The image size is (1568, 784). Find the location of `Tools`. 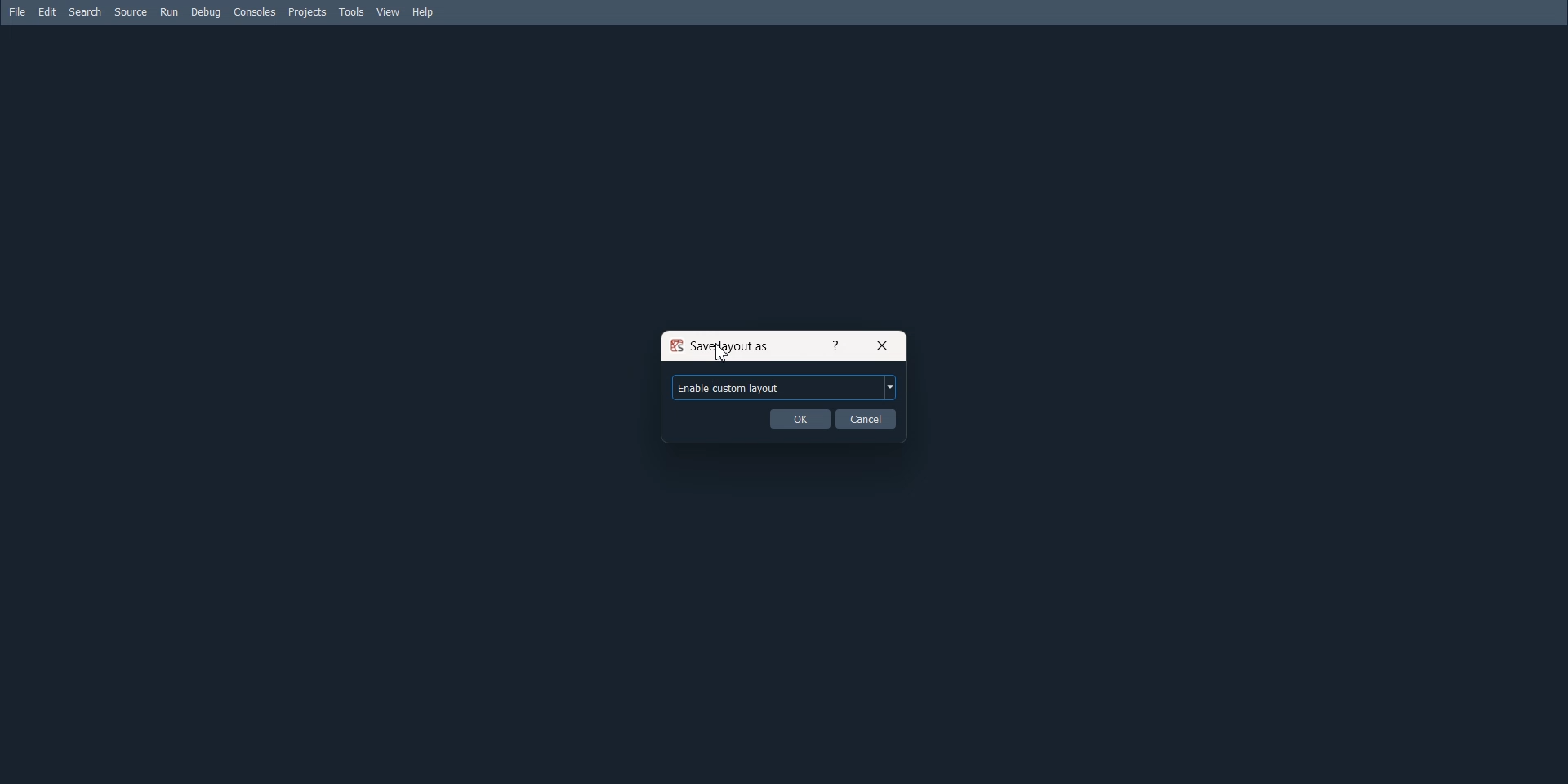

Tools is located at coordinates (353, 12).